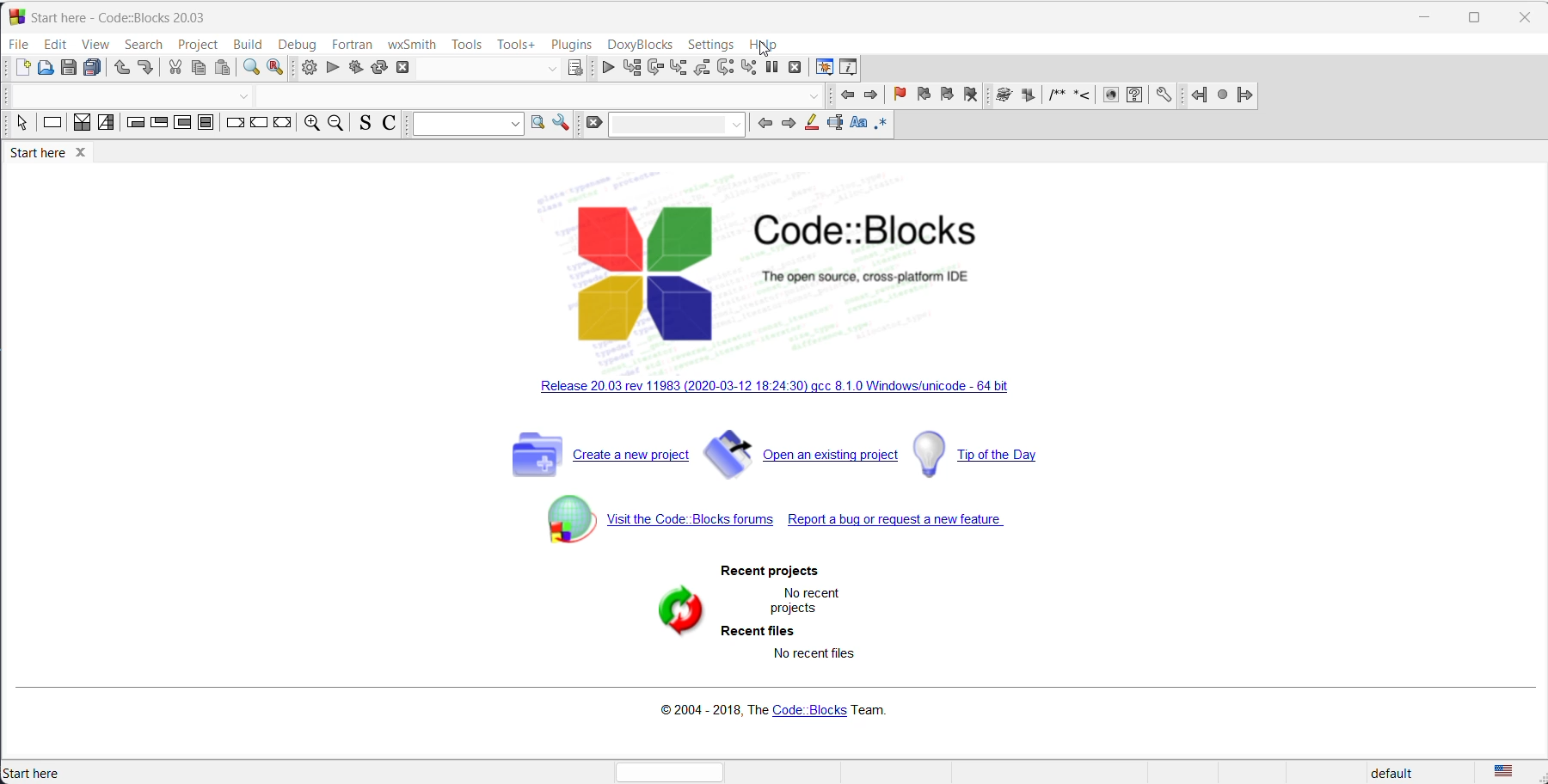 This screenshot has height=784, width=1548. What do you see at coordinates (803, 455) in the screenshot?
I see `open an existing project` at bounding box center [803, 455].